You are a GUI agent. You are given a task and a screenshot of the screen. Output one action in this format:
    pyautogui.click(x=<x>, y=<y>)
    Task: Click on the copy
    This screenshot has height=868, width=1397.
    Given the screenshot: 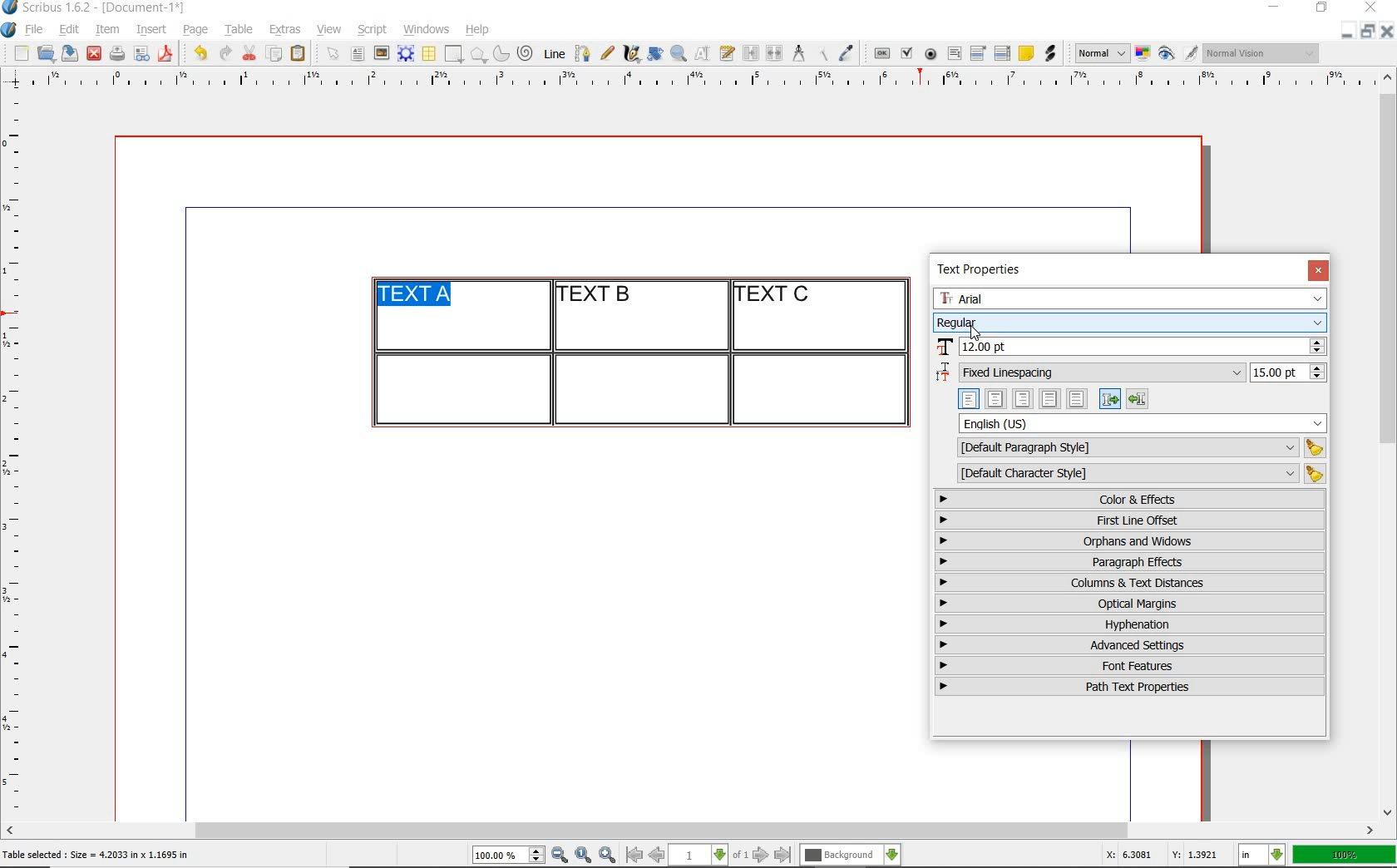 What is the action you would take?
    pyautogui.click(x=275, y=55)
    